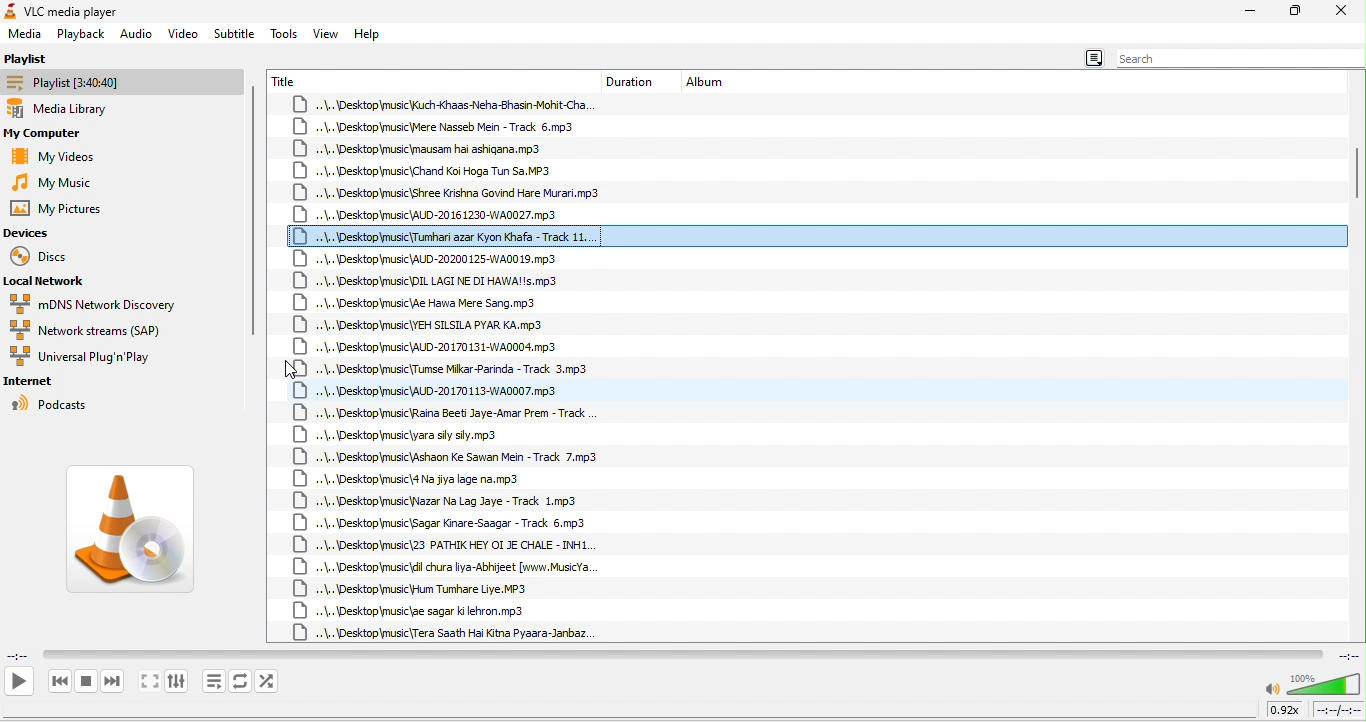 The height and width of the screenshot is (722, 1366). I want to click on toggle playlist, so click(214, 681).